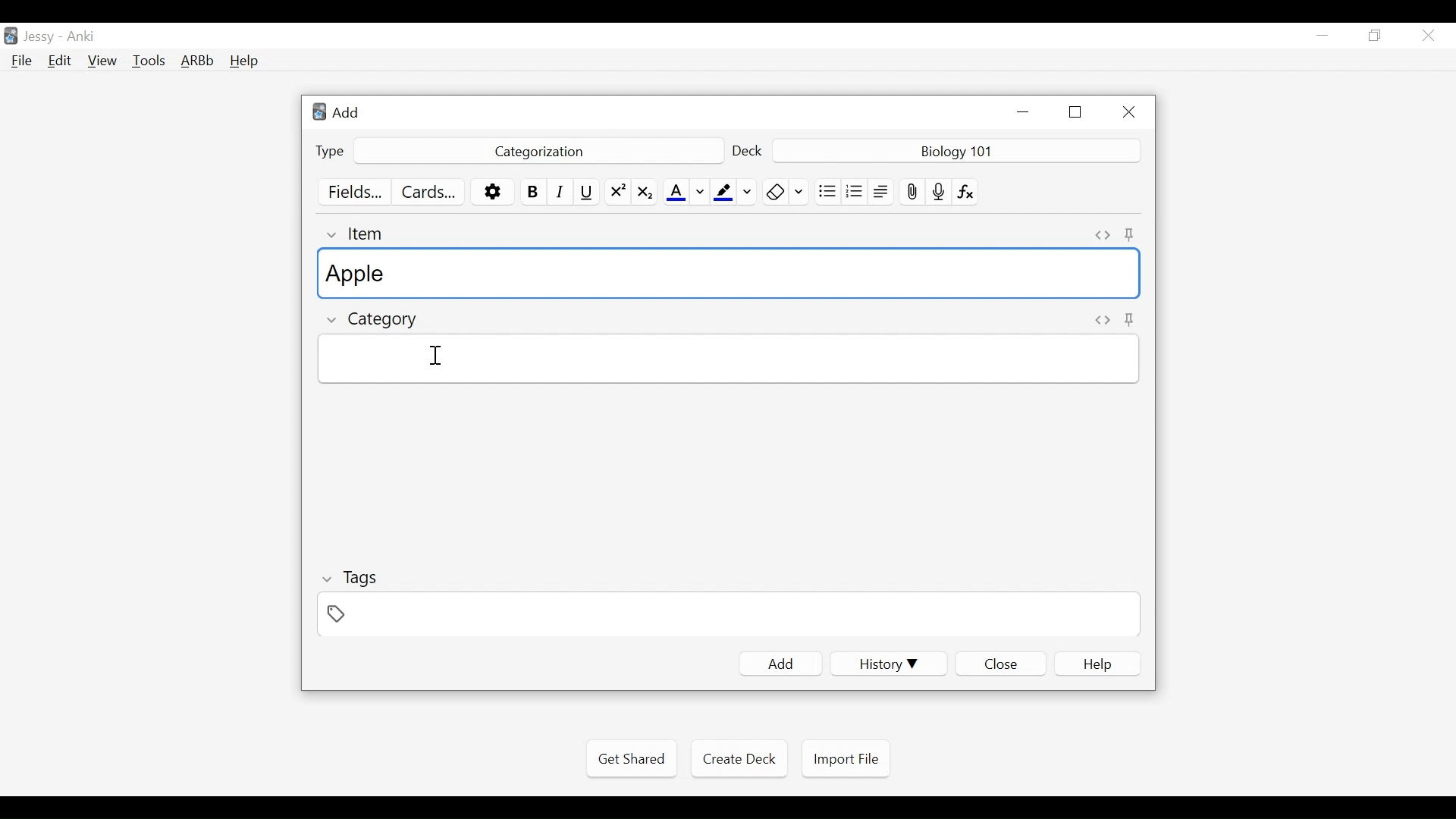 The image size is (1456, 819). Describe the element at coordinates (358, 234) in the screenshot. I see `Item` at that location.